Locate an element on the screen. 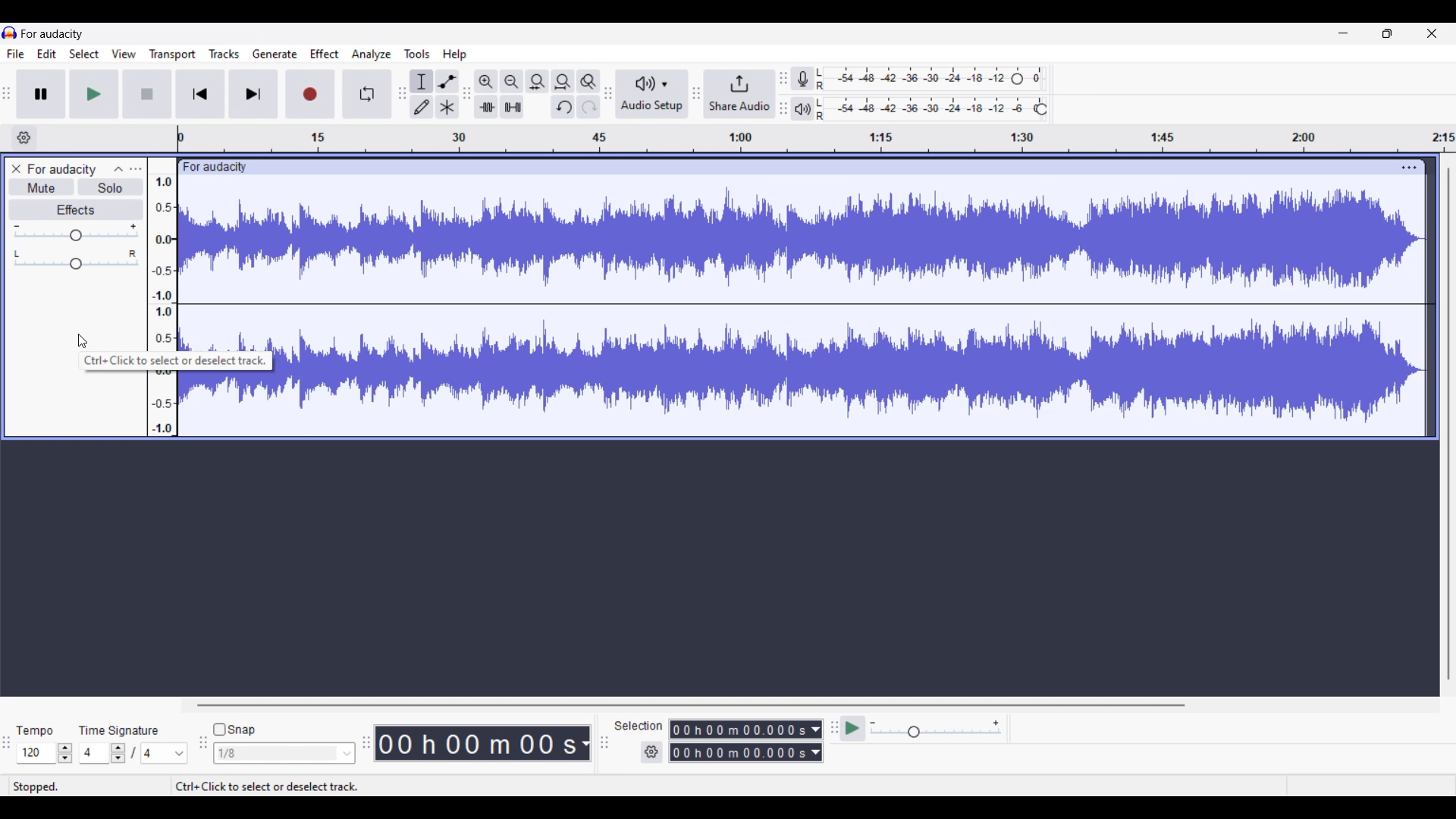 The width and height of the screenshot is (1456, 819). Selection duration is located at coordinates (739, 741).